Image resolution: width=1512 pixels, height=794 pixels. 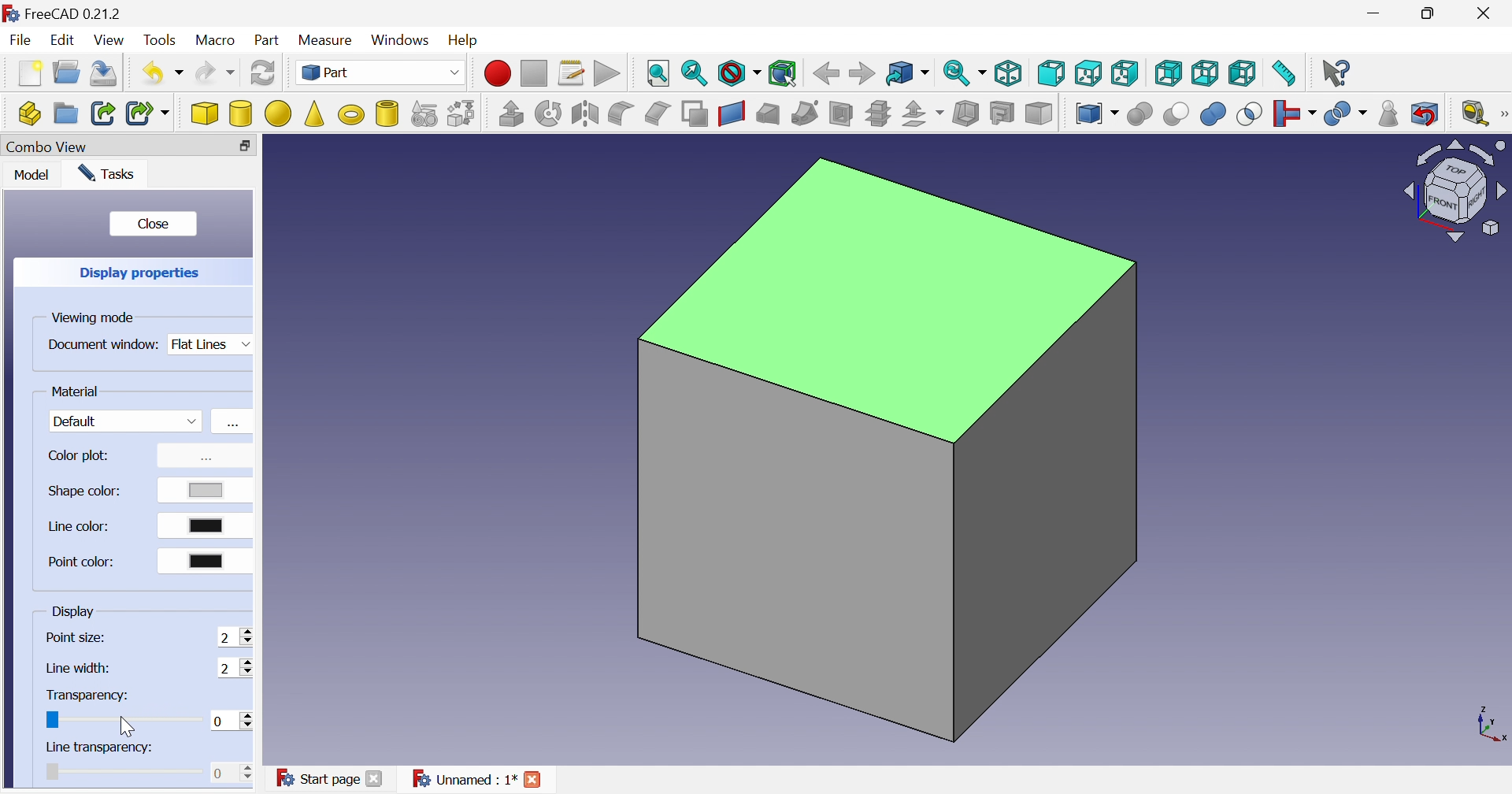 I want to click on Shape color, so click(x=86, y=492).